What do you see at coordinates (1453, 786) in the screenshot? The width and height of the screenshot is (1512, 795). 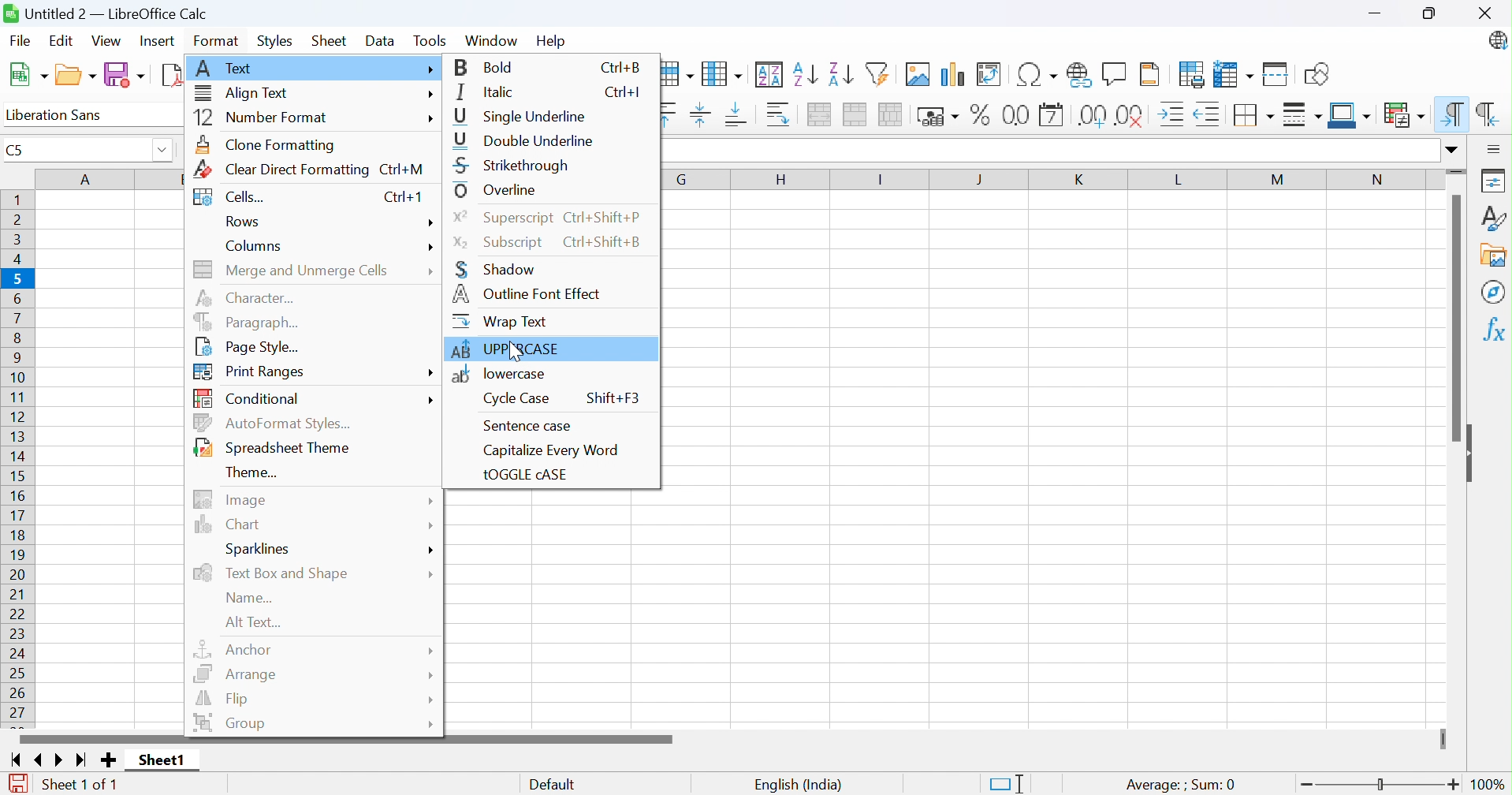 I see `Zoom in` at bounding box center [1453, 786].